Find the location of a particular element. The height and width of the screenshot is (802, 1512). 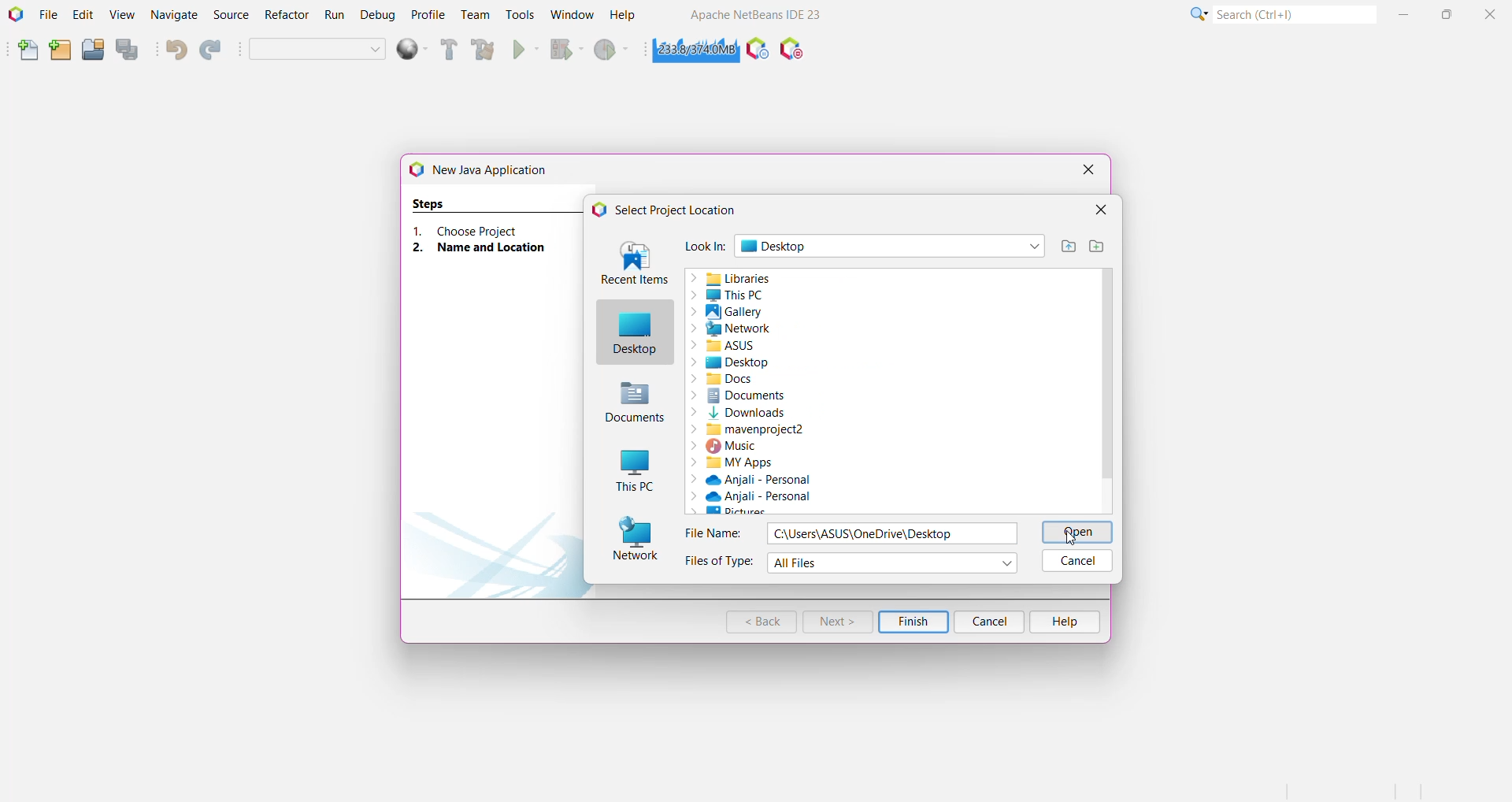

This PC is located at coordinates (777, 296).